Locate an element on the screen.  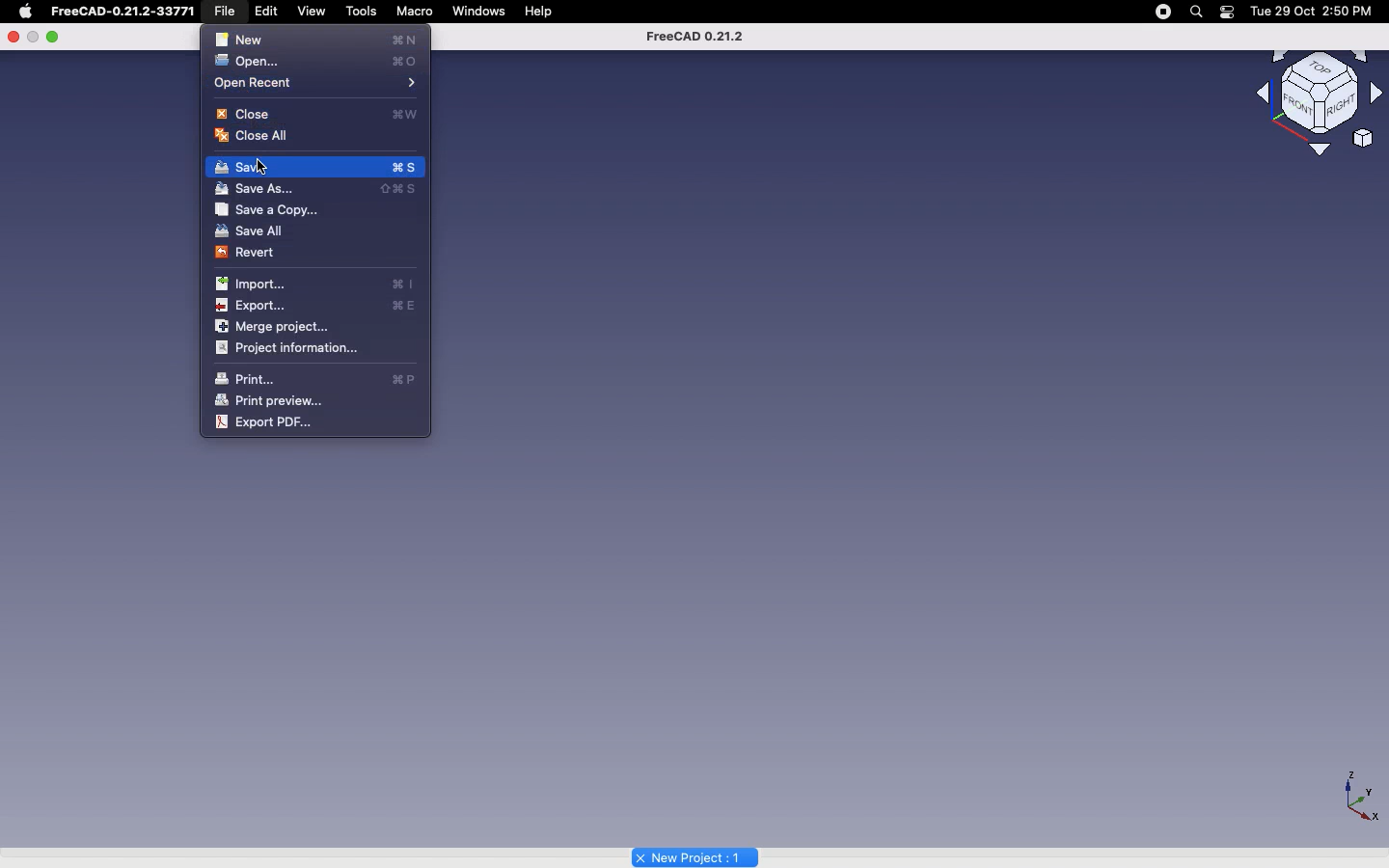
FreeCAD is located at coordinates (124, 12).